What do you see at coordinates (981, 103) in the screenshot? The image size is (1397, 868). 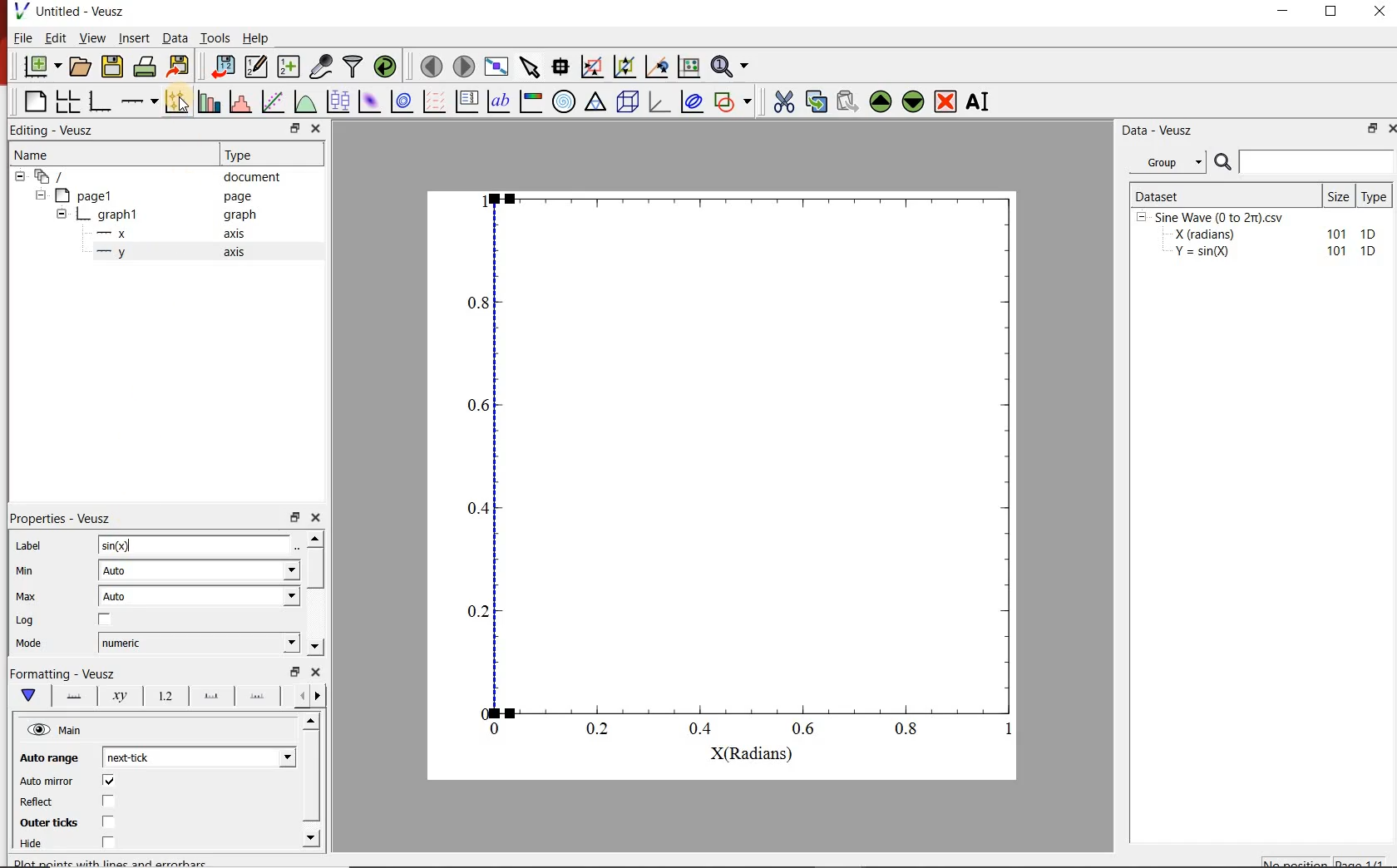 I see `rename` at bounding box center [981, 103].